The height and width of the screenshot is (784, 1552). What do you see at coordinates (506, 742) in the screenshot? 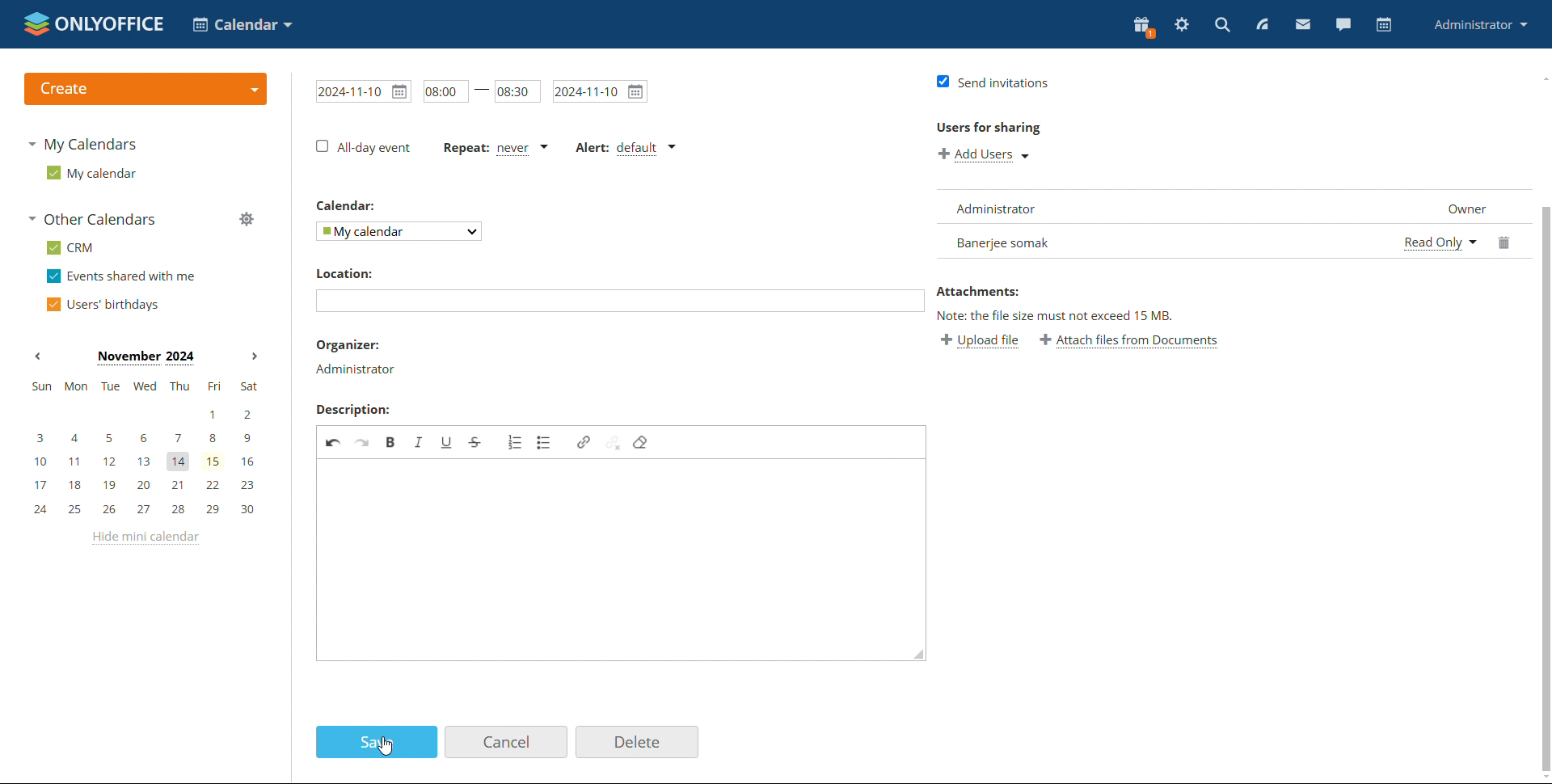
I see `cancel` at bounding box center [506, 742].